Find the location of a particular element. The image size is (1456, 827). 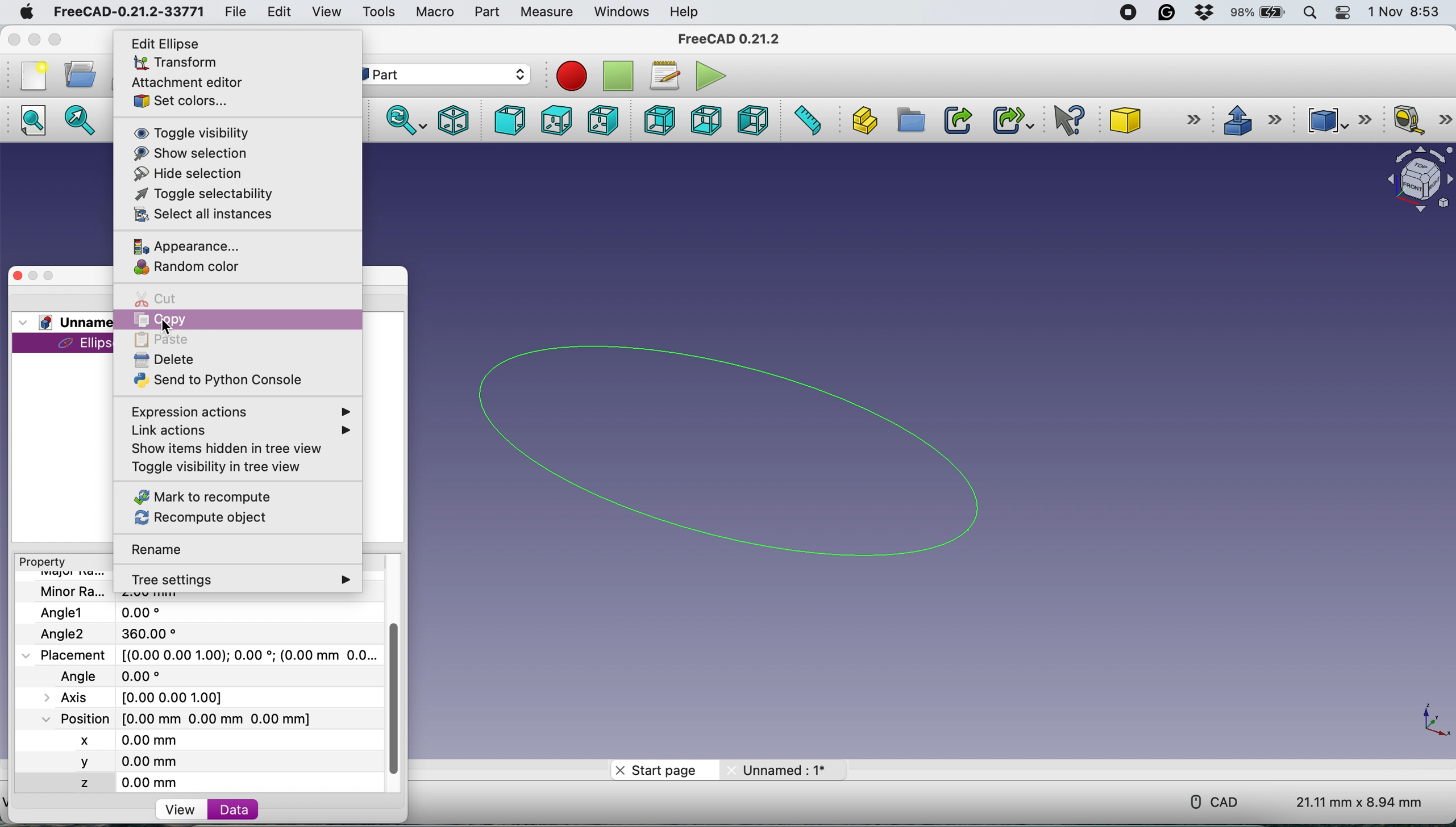

make sub link is located at coordinates (1009, 121).